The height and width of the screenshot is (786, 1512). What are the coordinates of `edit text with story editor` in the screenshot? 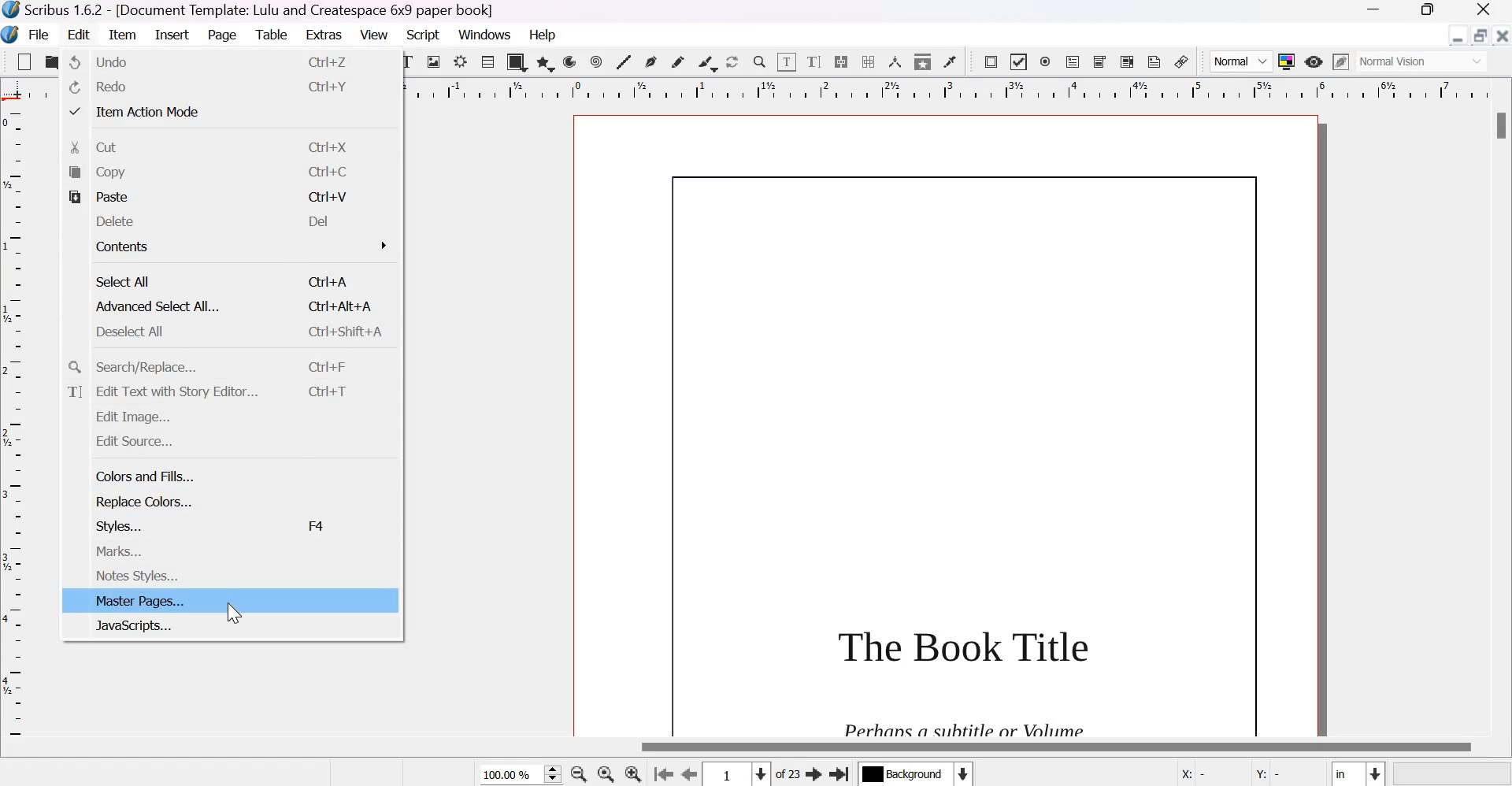 It's located at (226, 392).